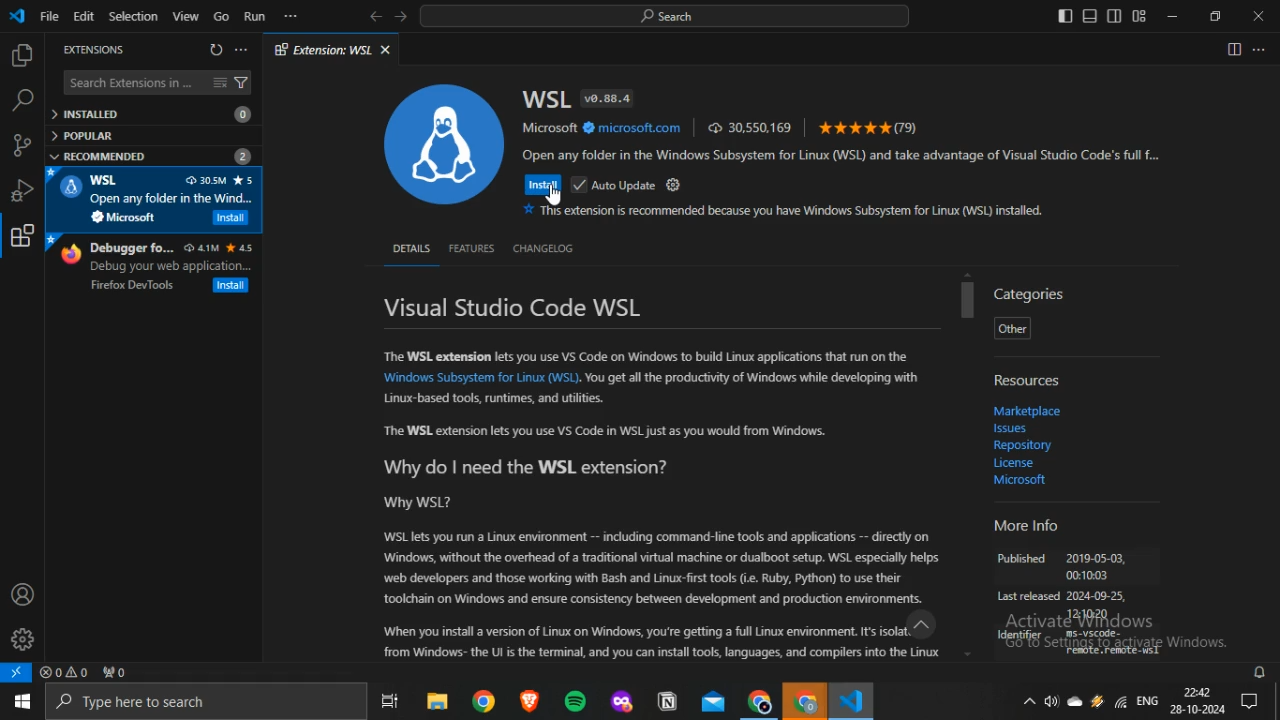  I want to click on Type here to search, so click(205, 702).